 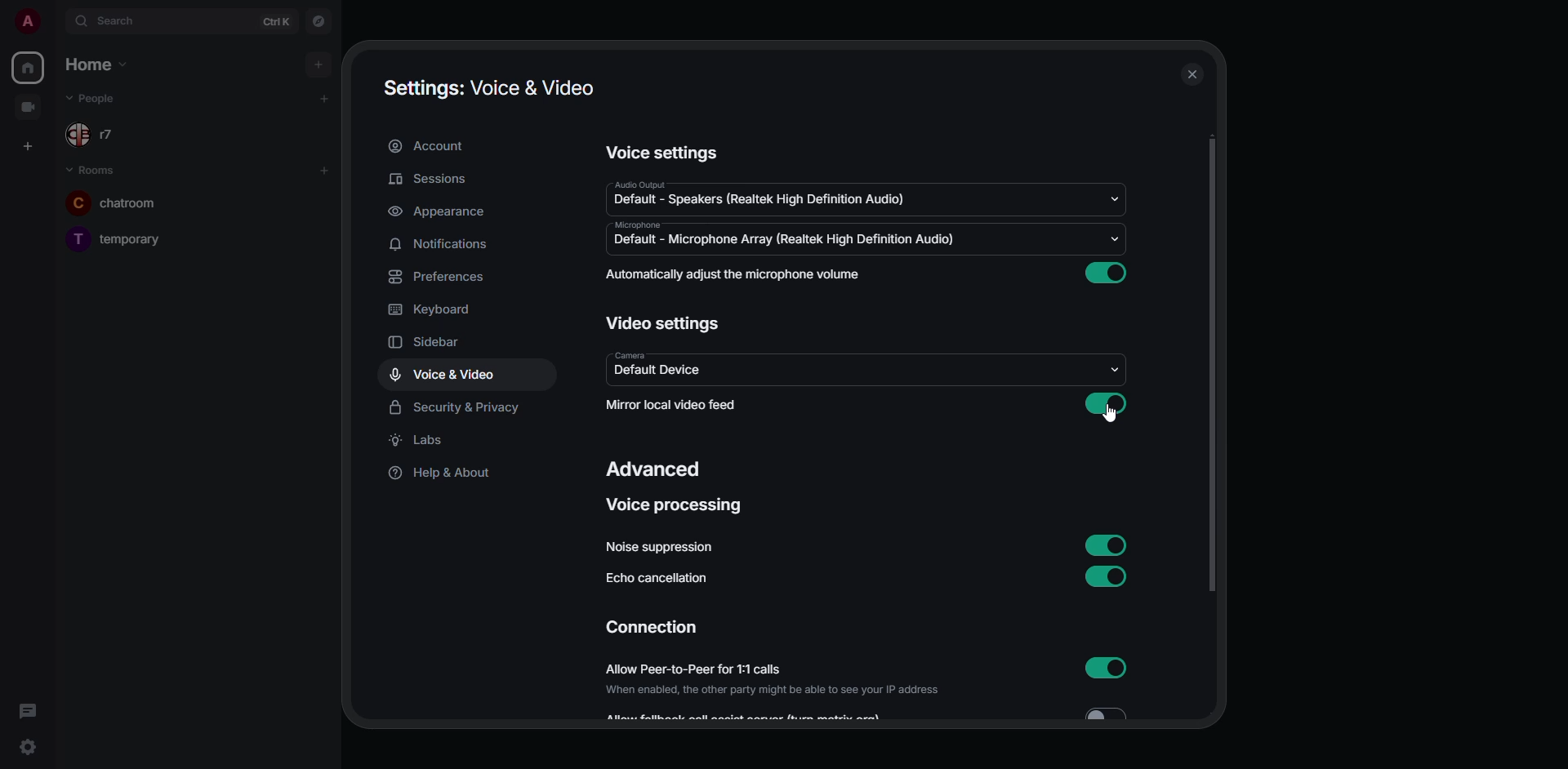 What do you see at coordinates (439, 148) in the screenshot?
I see `account` at bounding box center [439, 148].